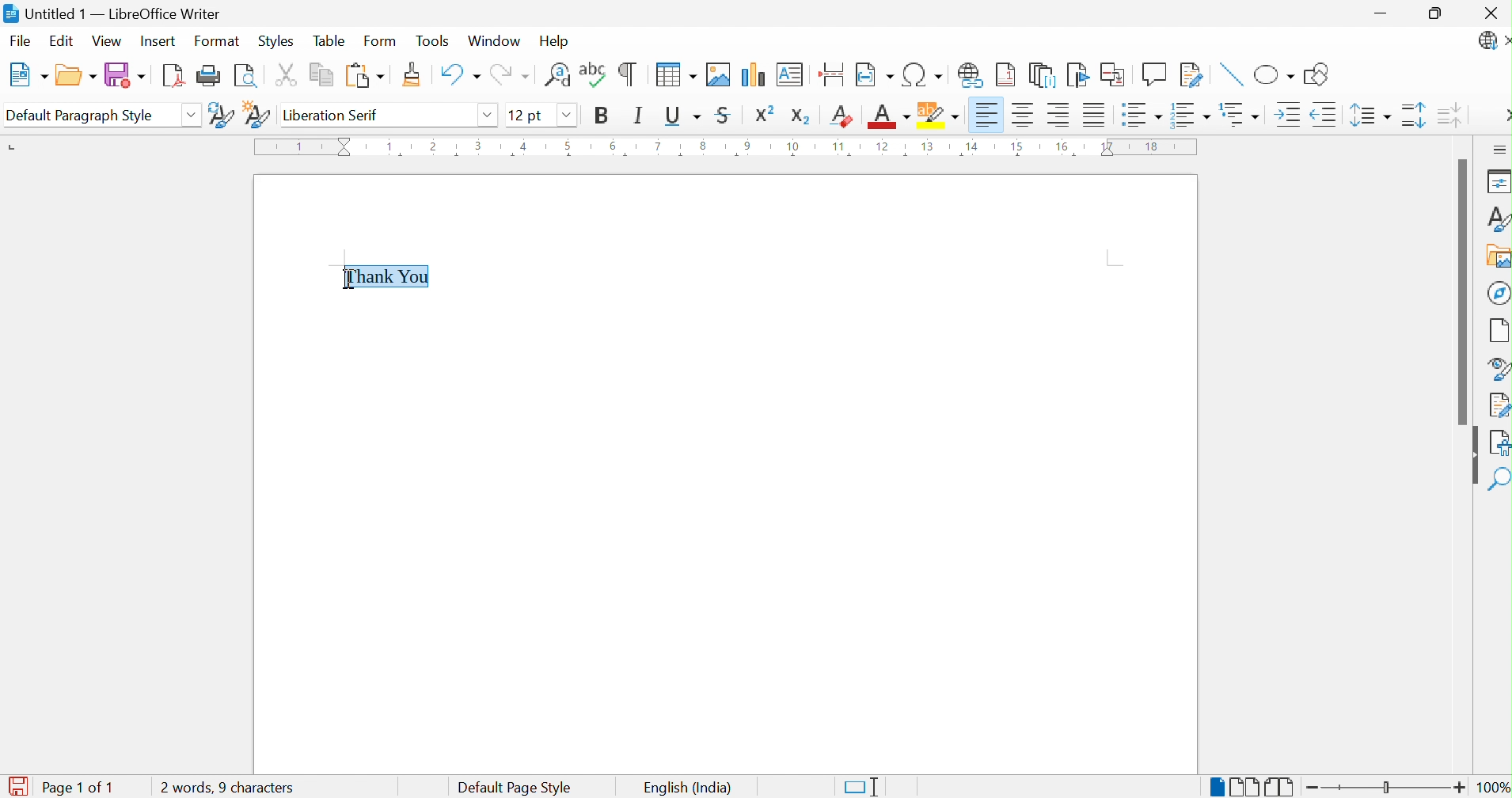 Image resolution: width=1512 pixels, height=798 pixels. What do you see at coordinates (1499, 481) in the screenshot?
I see `Find` at bounding box center [1499, 481].